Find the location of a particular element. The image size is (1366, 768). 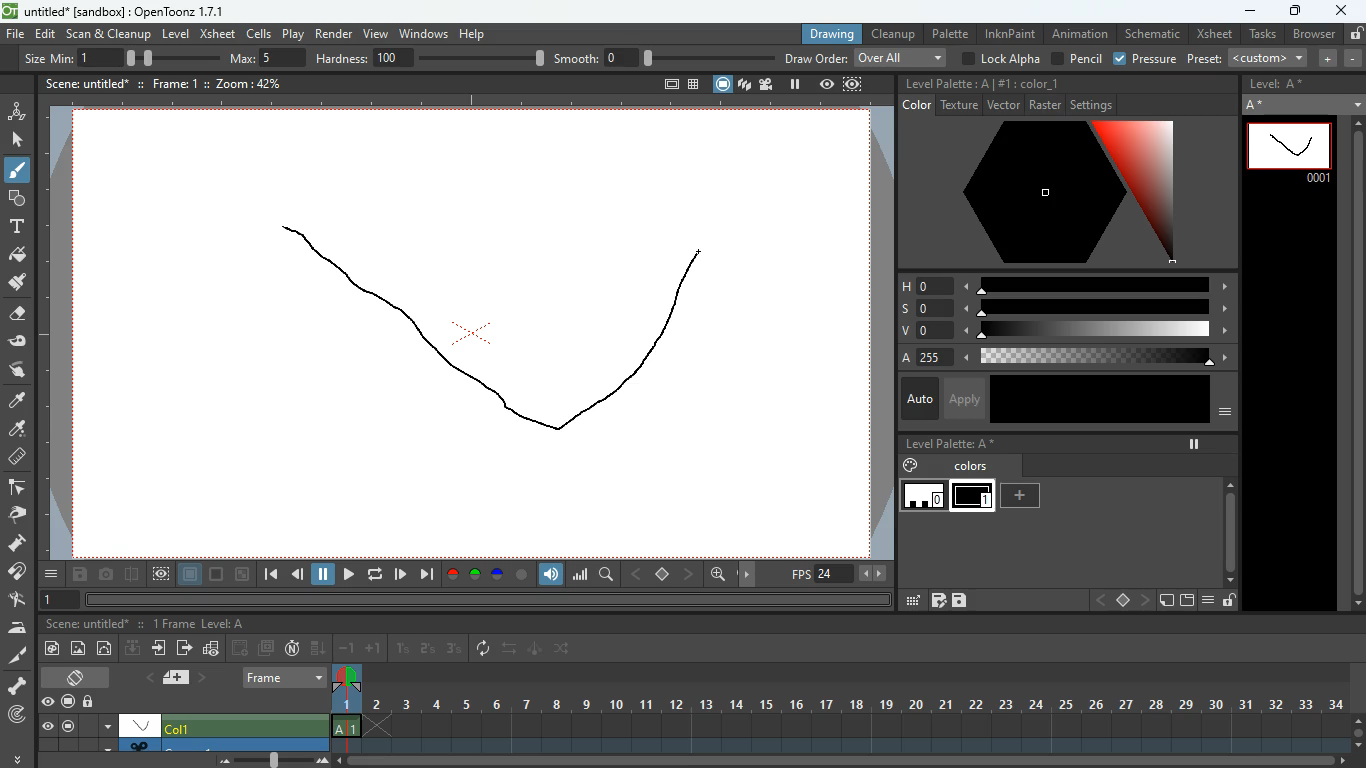

swipe is located at coordinates (15, 369).